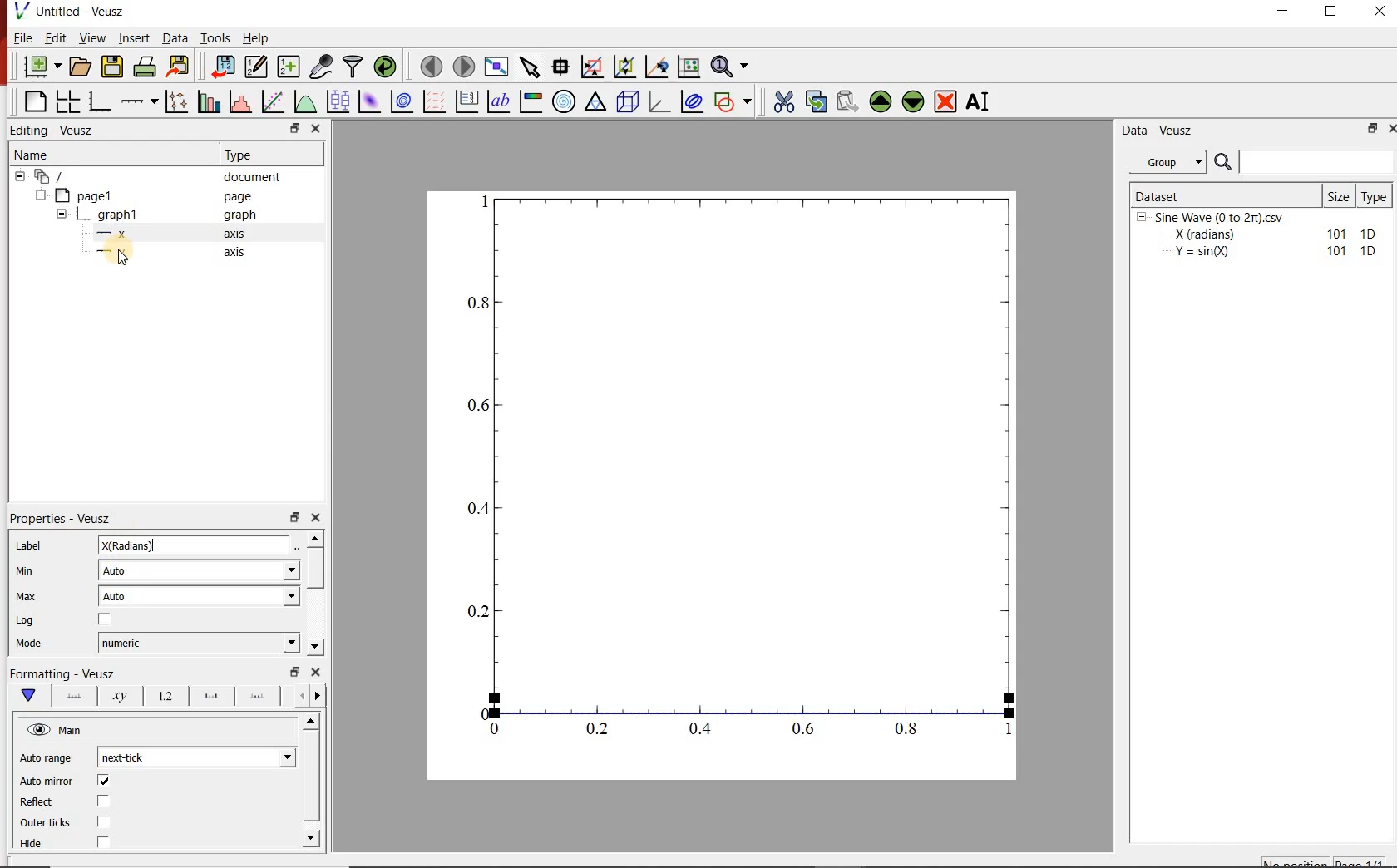 Image resolution: width=1397 pixels, height=868 pixels. What do you see at coordinates (62, 518) in the screenshot?
I see `Properties - Veusz` at bounding box center [62, 518].